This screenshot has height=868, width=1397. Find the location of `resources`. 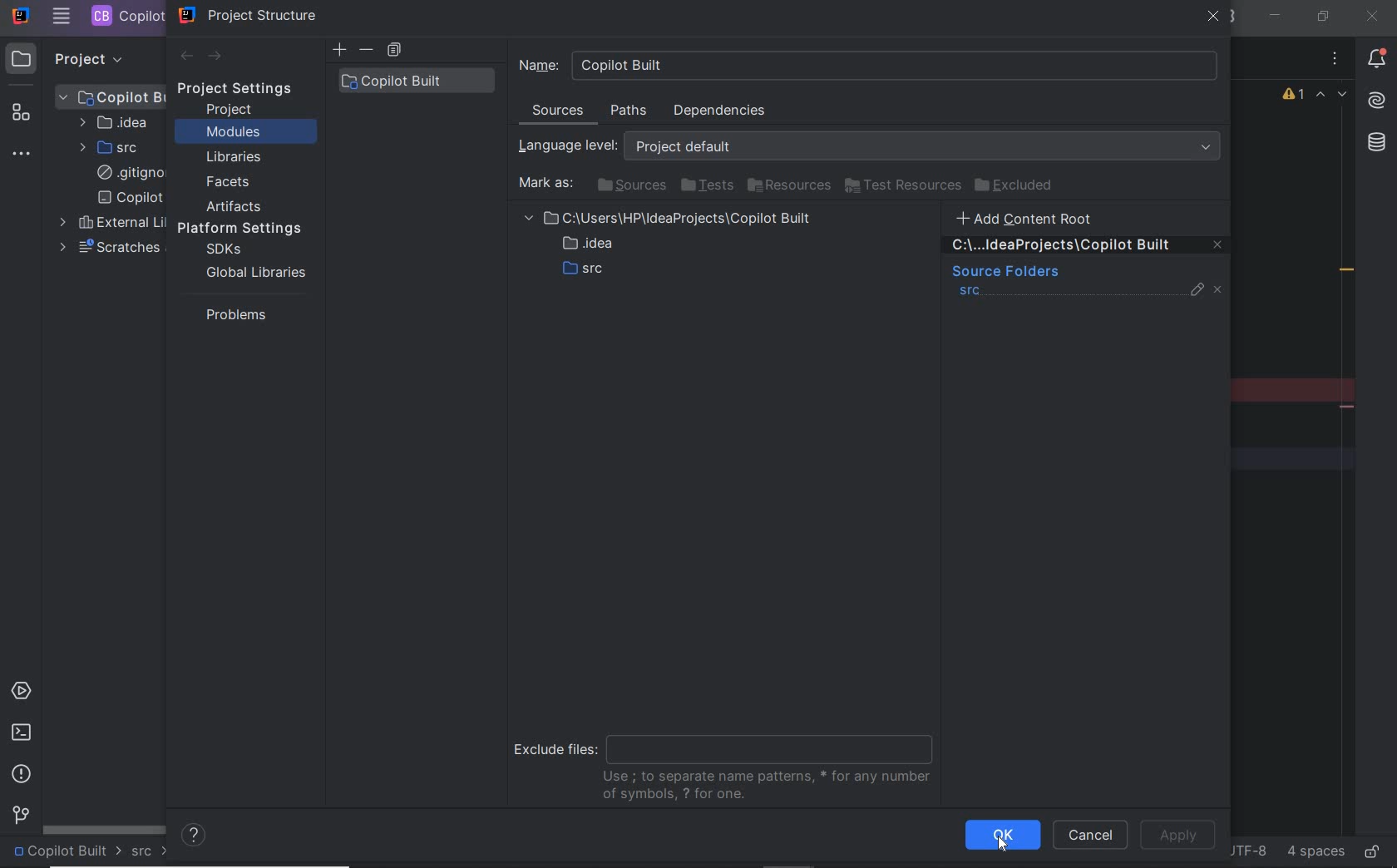

resources is located at coordinates (791, 186).